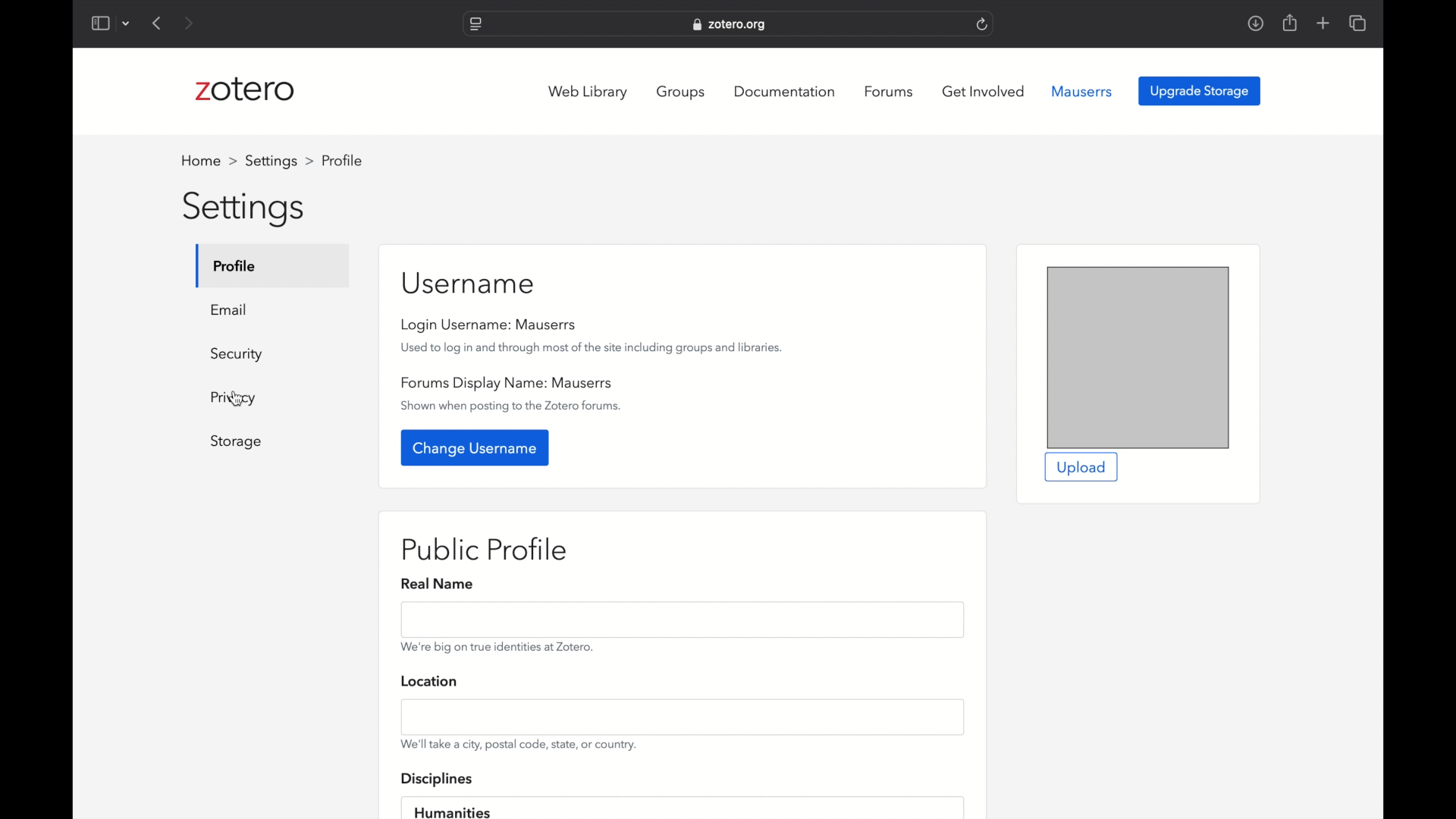 Image resolution: width=1456 pixels, height=819 pixels. What do you see at coordinates (245, 210) in the screenshot?
I see `settings` at bounding box center [245, 210].